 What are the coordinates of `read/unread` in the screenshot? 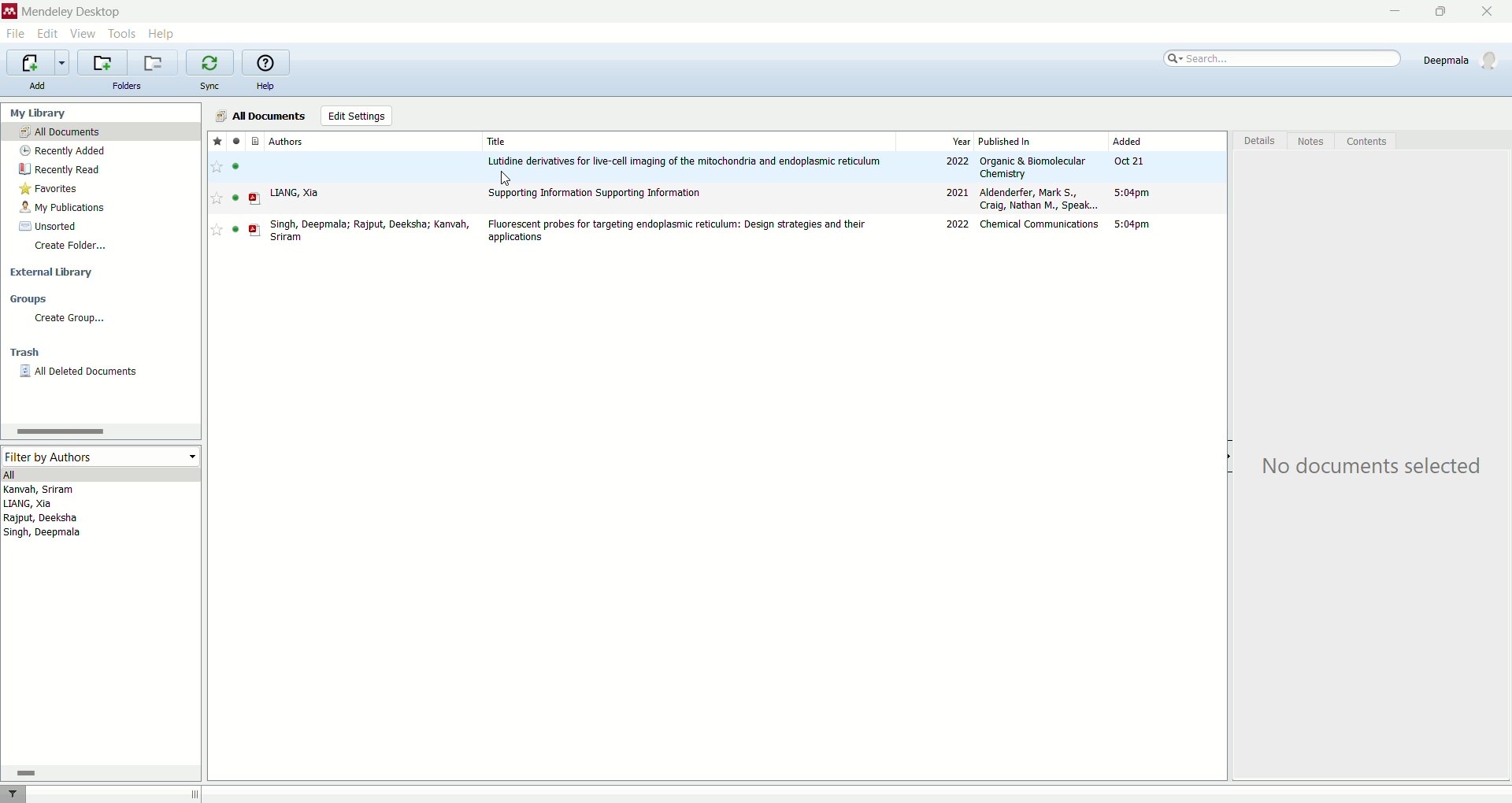 It's located at (236, 142).